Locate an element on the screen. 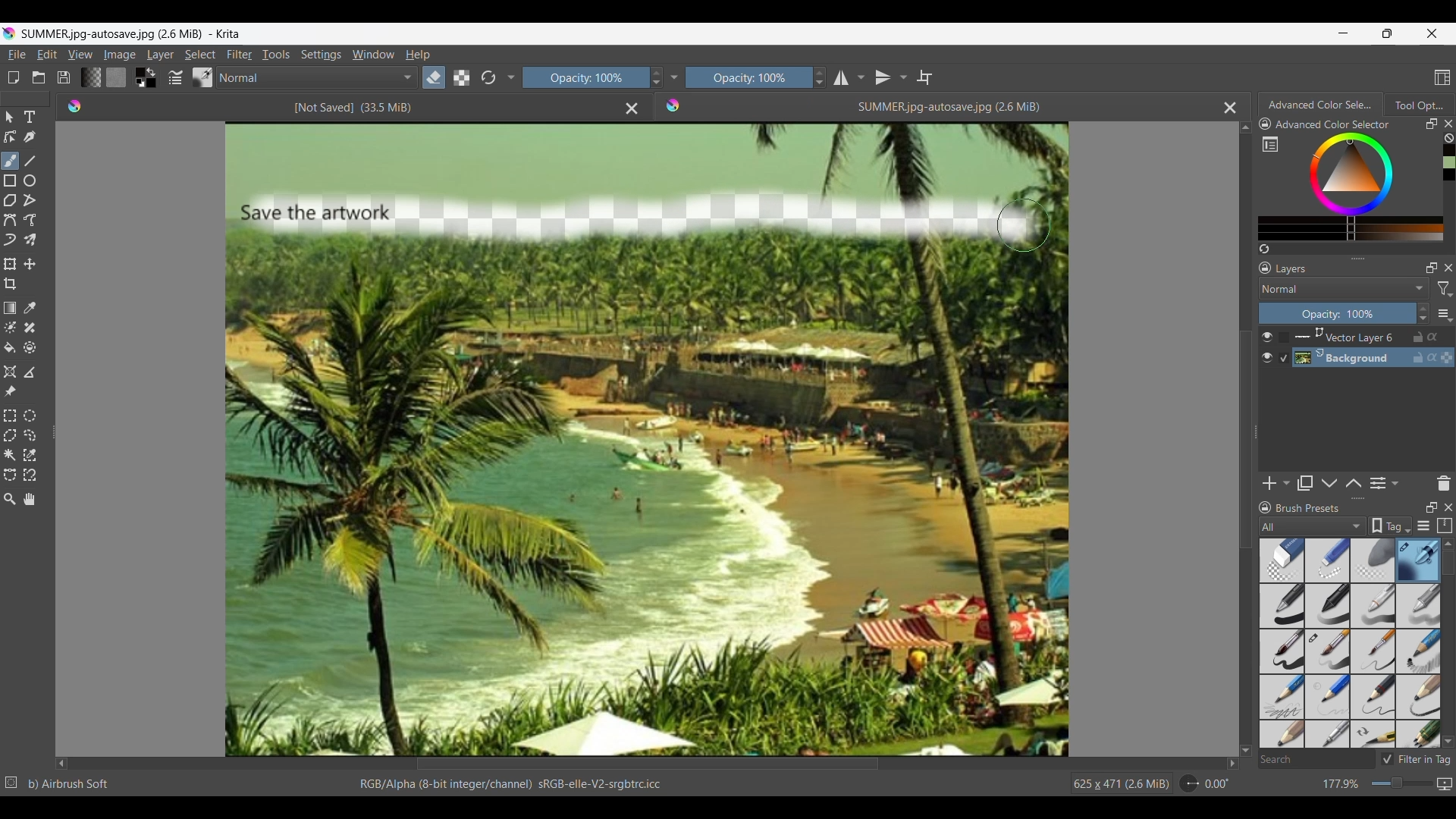 This screenshot has height=819, width=1456. Reload original settings is located at coordinates (488, 77).